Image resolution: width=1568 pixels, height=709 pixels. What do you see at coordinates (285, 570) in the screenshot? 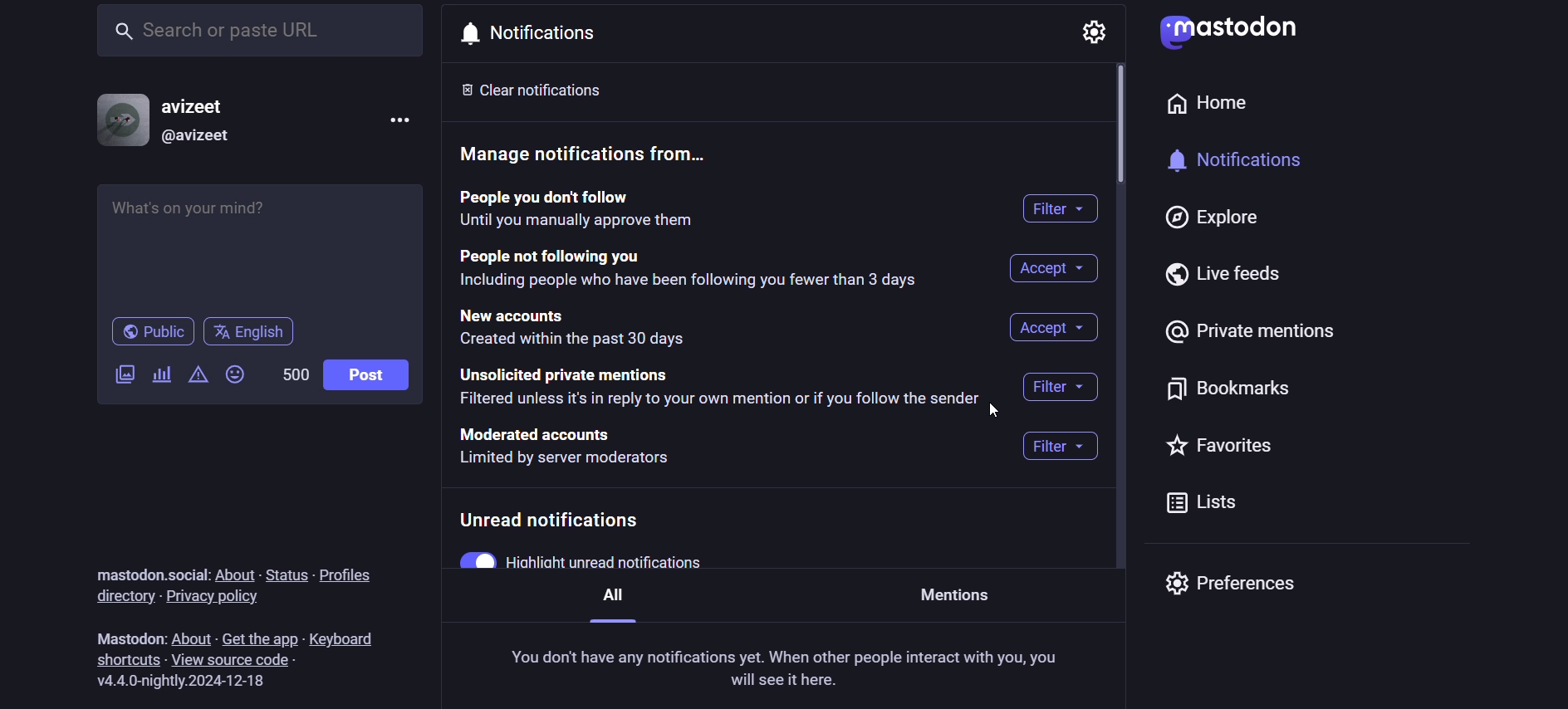
I see `status` at bounding box center [285, 570].